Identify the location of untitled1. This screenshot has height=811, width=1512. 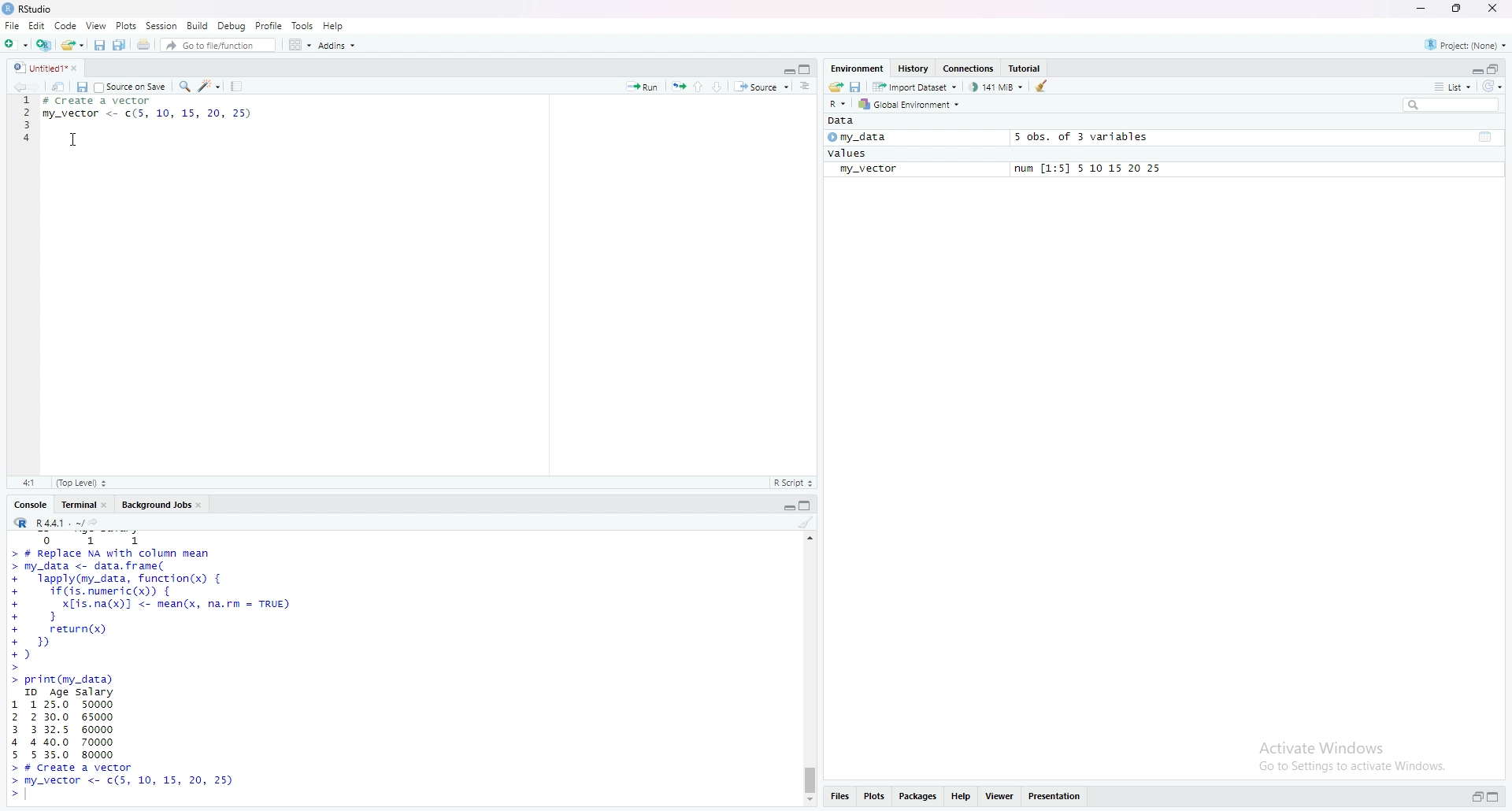
(48, 68).